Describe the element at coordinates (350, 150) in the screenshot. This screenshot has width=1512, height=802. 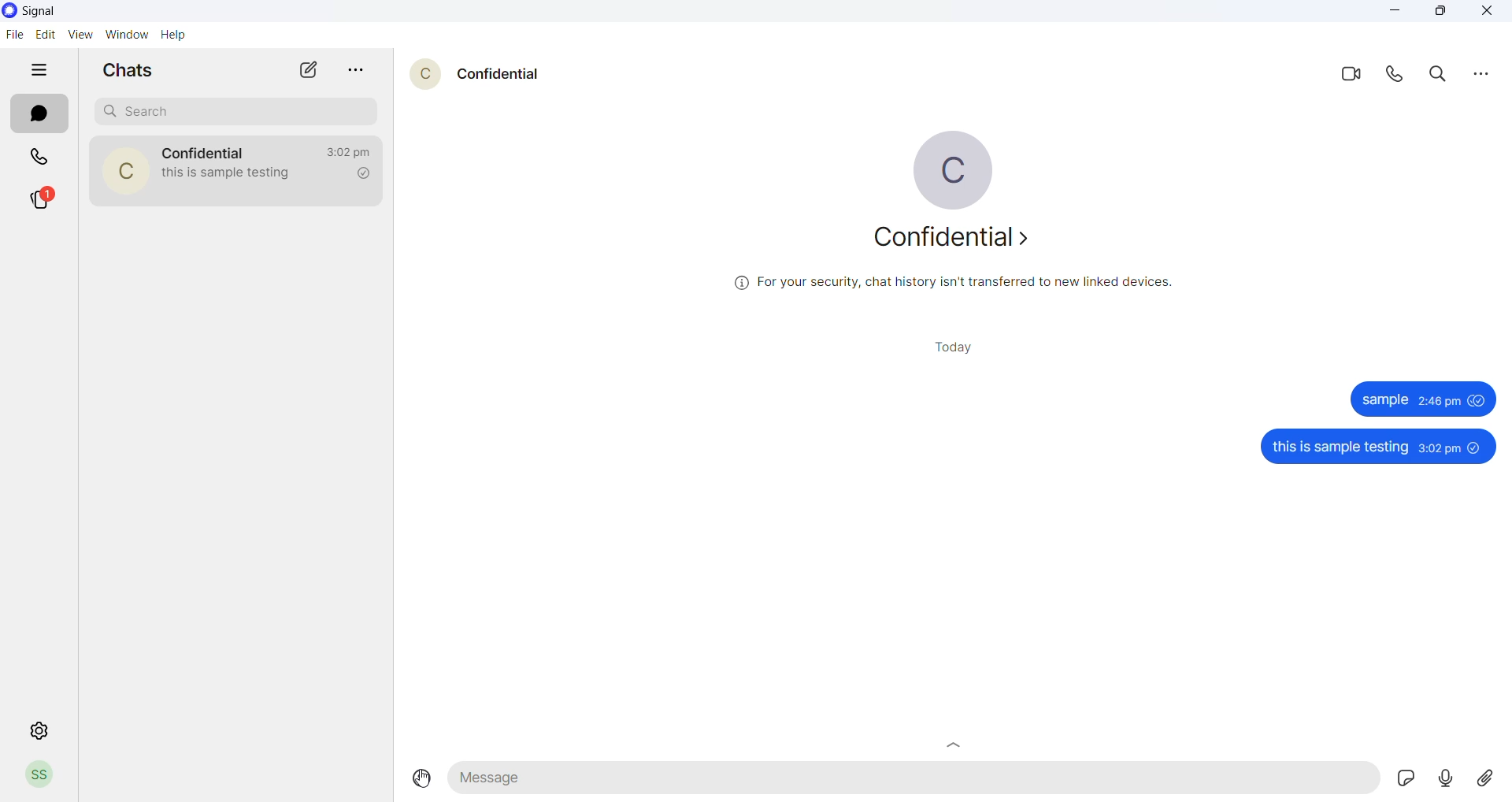
I see `last message time` at that location.